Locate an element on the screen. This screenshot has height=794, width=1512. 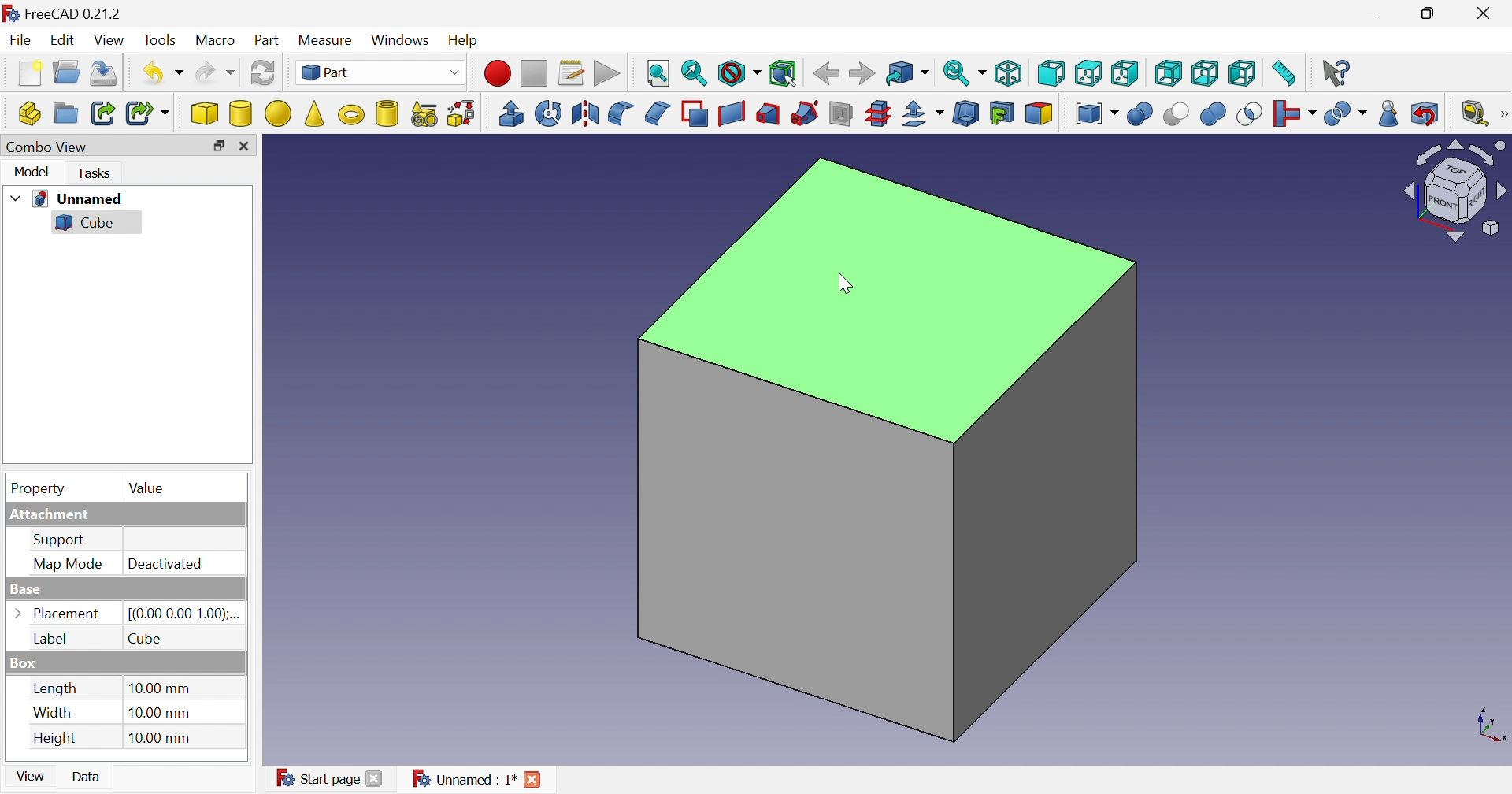
Cube is located at coordinates (86, 222).